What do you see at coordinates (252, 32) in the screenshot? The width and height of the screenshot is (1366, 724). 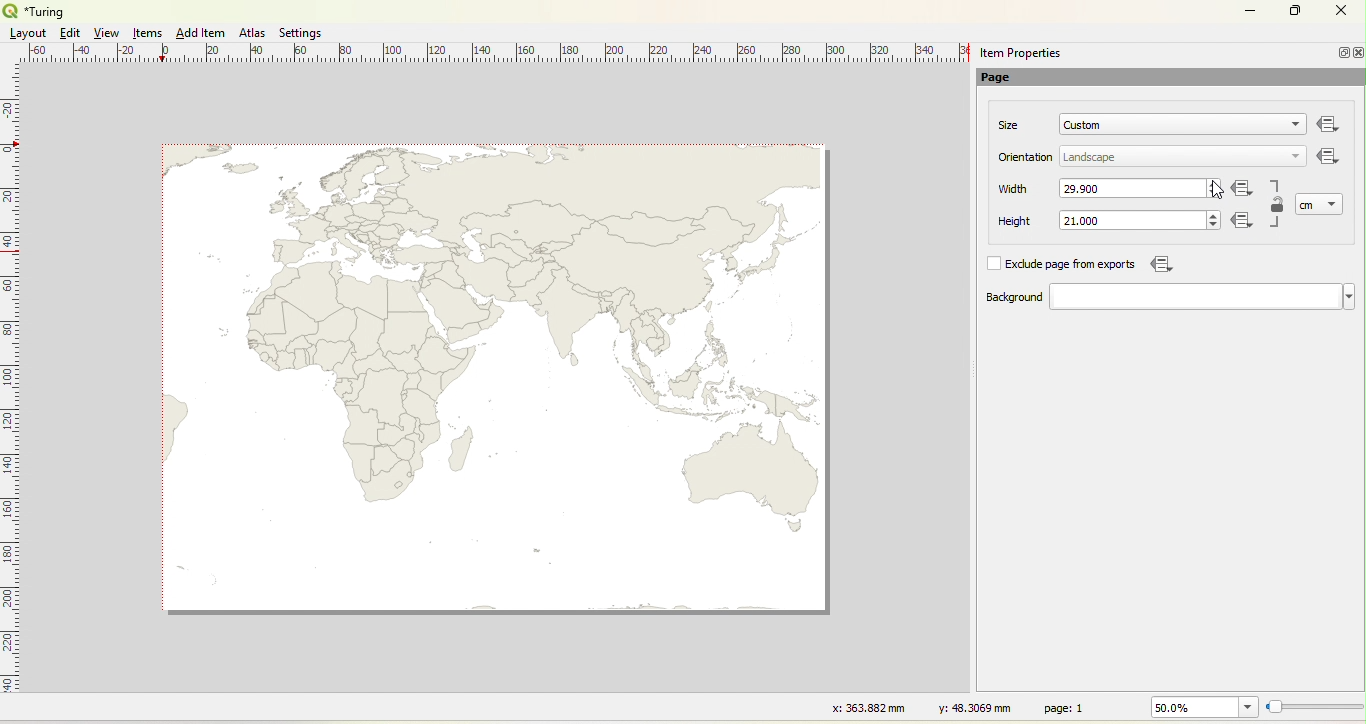 I see `Atlas` at bounding box center [252, 32].